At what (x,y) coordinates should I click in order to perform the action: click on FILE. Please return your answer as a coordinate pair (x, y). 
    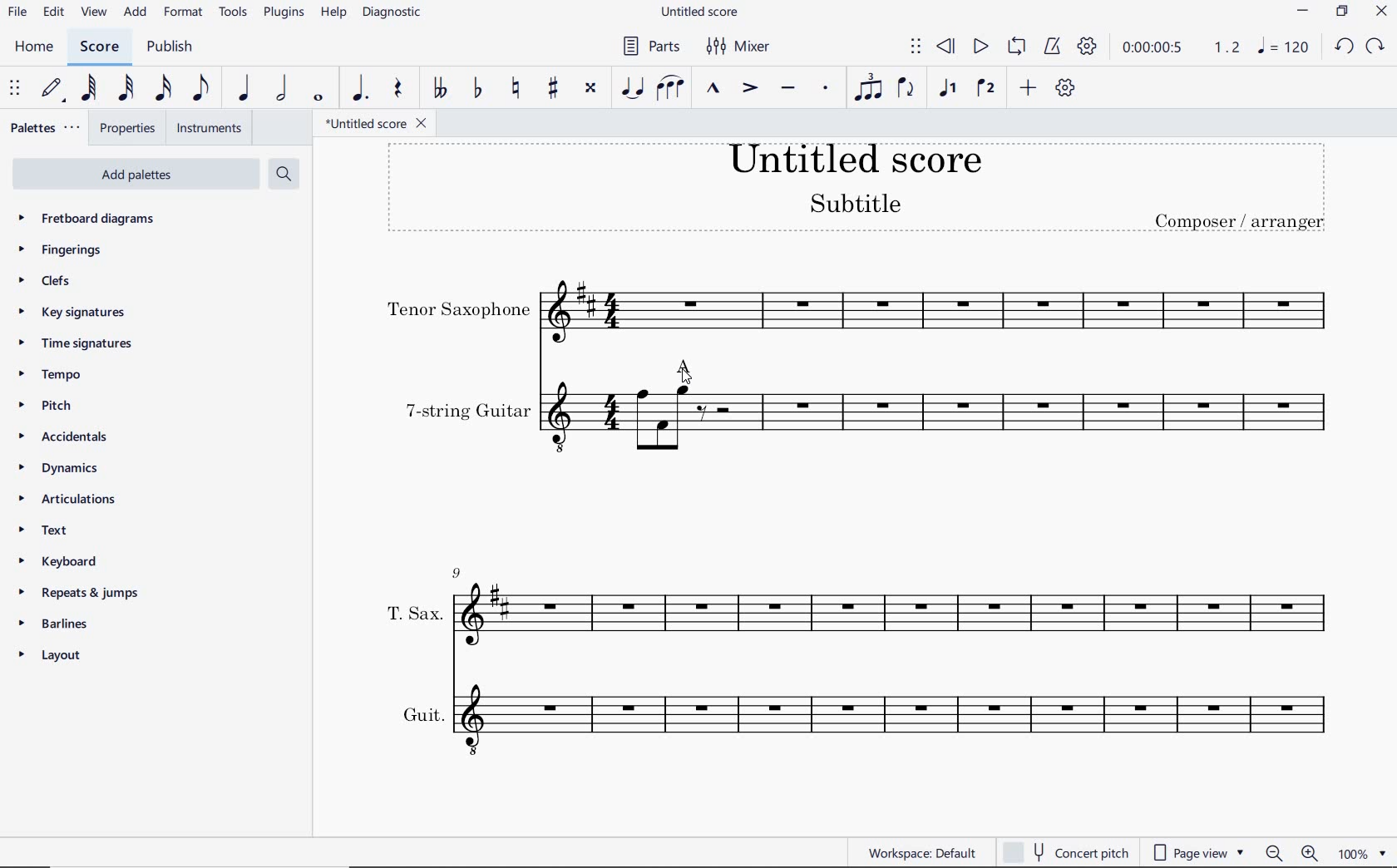
    Looking at the image, I should click on (17, 13).